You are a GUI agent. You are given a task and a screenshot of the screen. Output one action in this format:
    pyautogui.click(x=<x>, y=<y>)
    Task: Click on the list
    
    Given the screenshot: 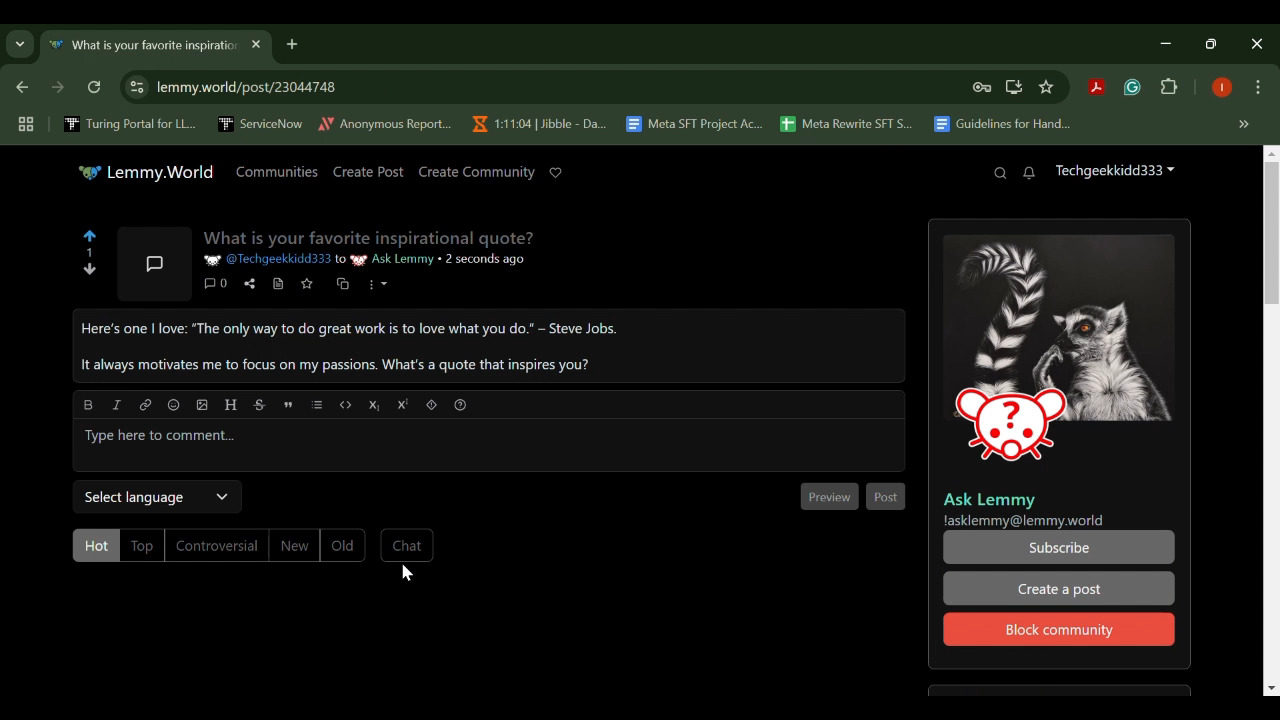 What is the action you would take?
    pyautogui.click(x=316, y=405)
    